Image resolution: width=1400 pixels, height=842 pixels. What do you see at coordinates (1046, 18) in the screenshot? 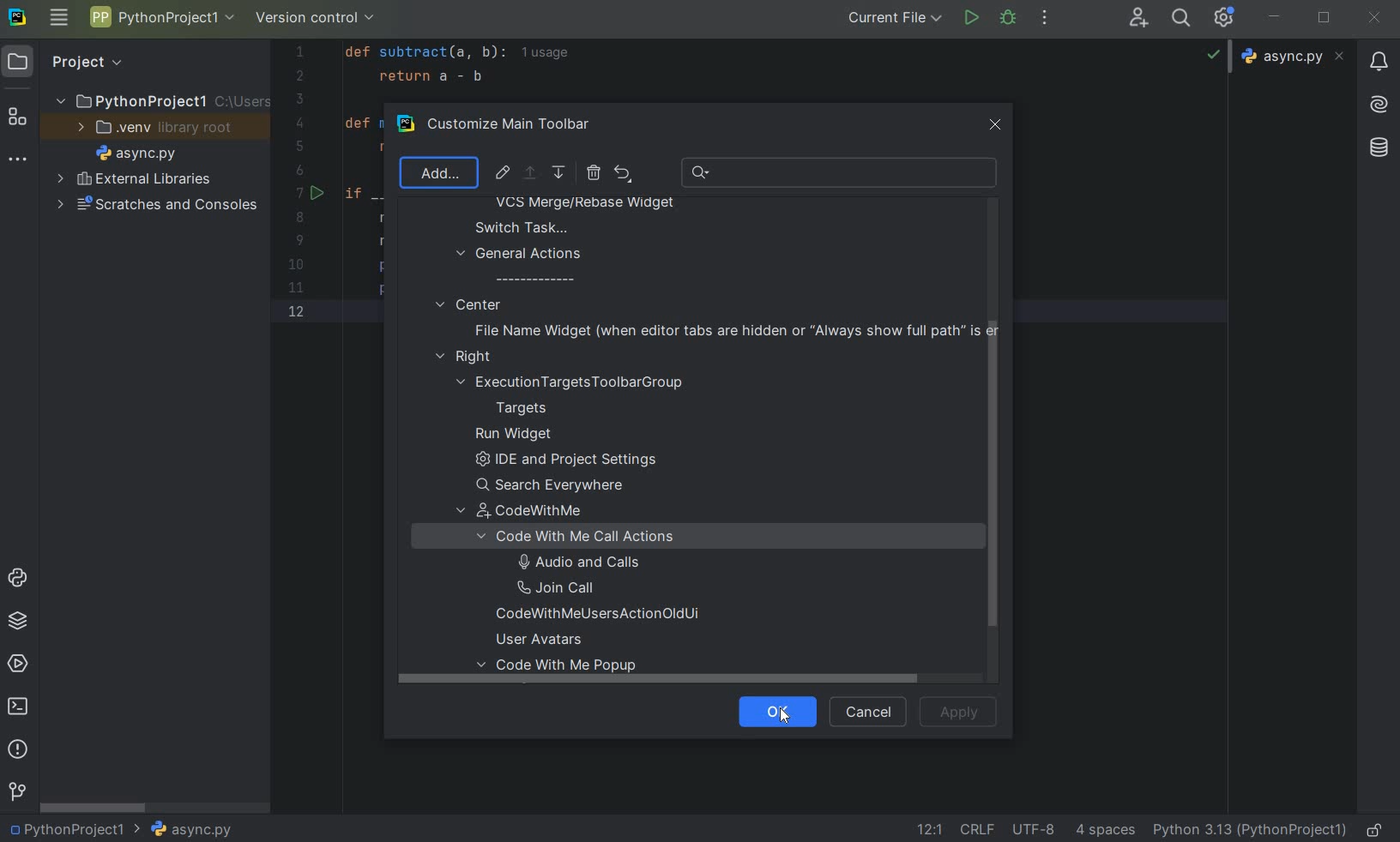
I see `MORE ACTIONS` at bounding box center [1046, 18].